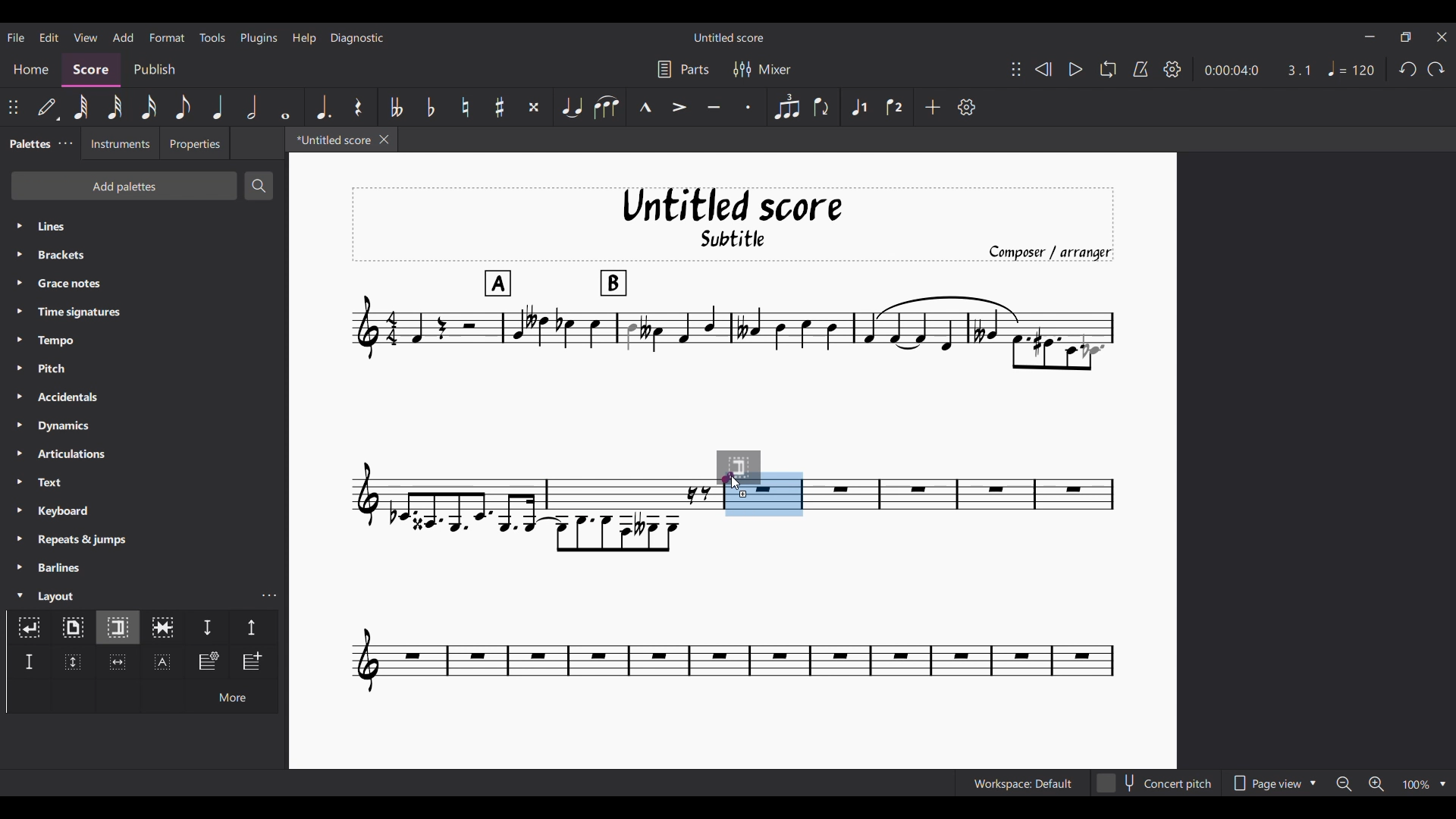  What do you see at coordinates (231, 695) in the screenshot?
I see `More options` at bounding box center [231, 695].